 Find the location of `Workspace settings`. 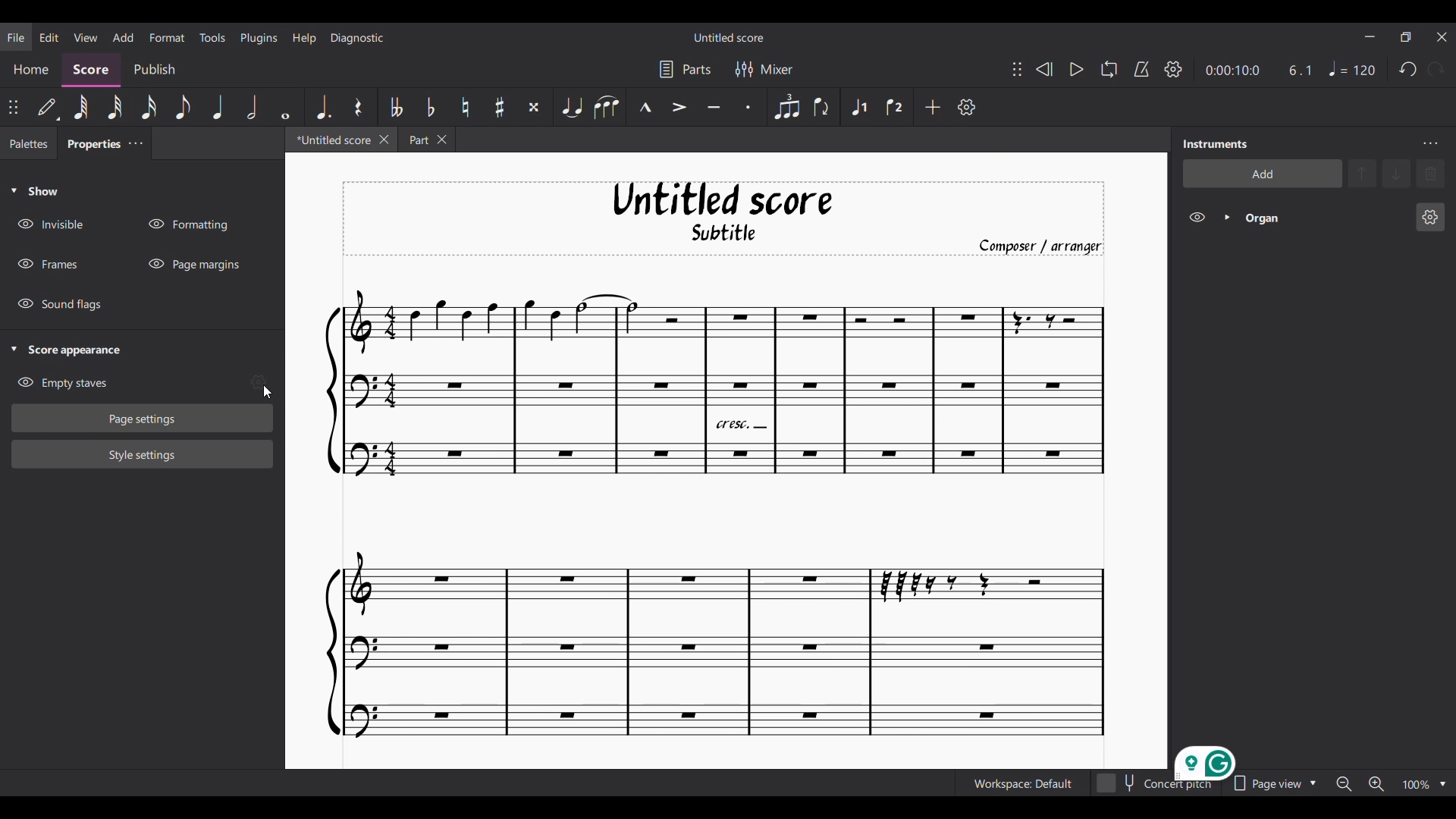

Workspace settings is located at coordinates (1021, 783).